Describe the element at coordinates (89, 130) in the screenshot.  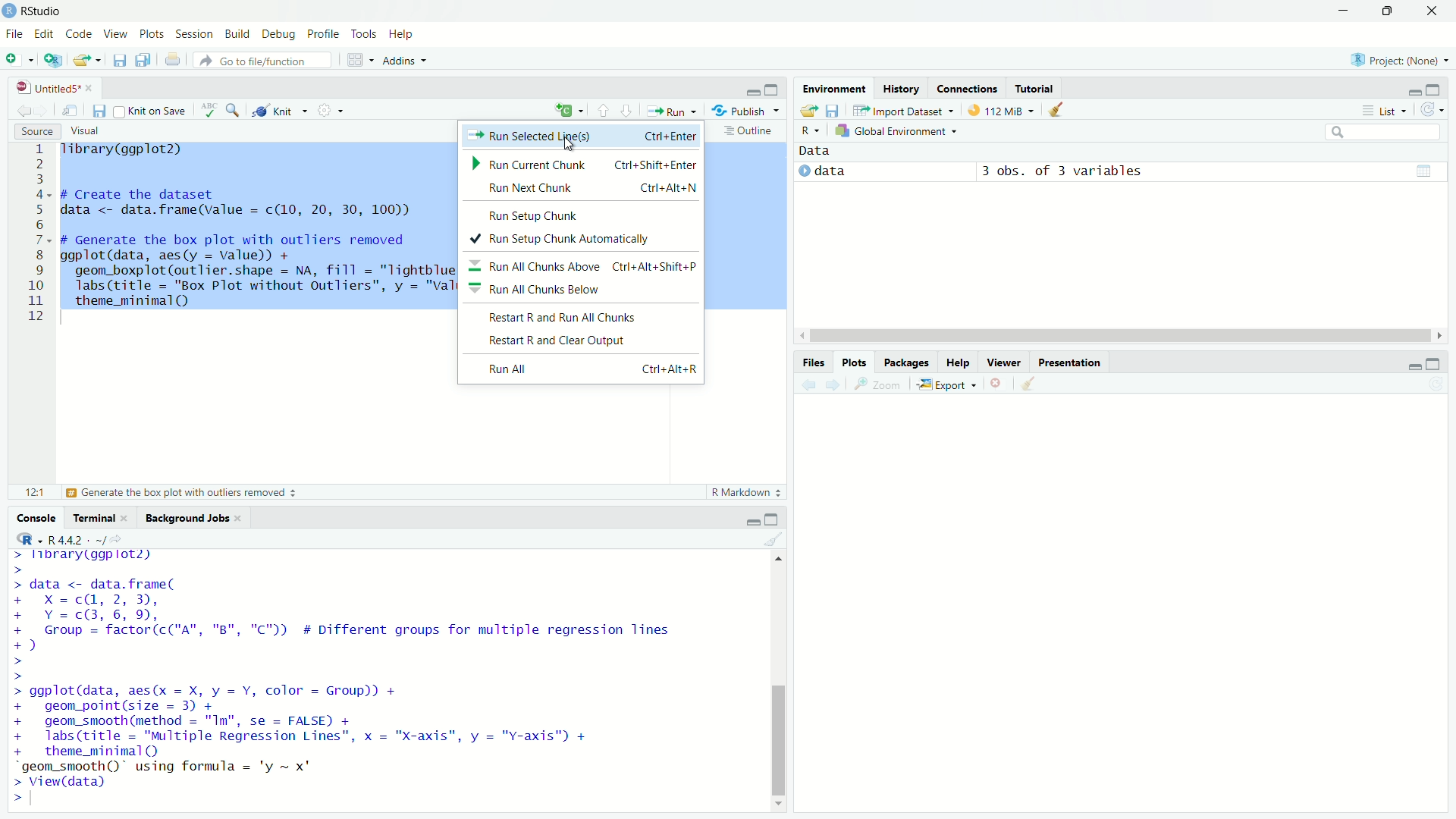
I see `Visual` at that location.